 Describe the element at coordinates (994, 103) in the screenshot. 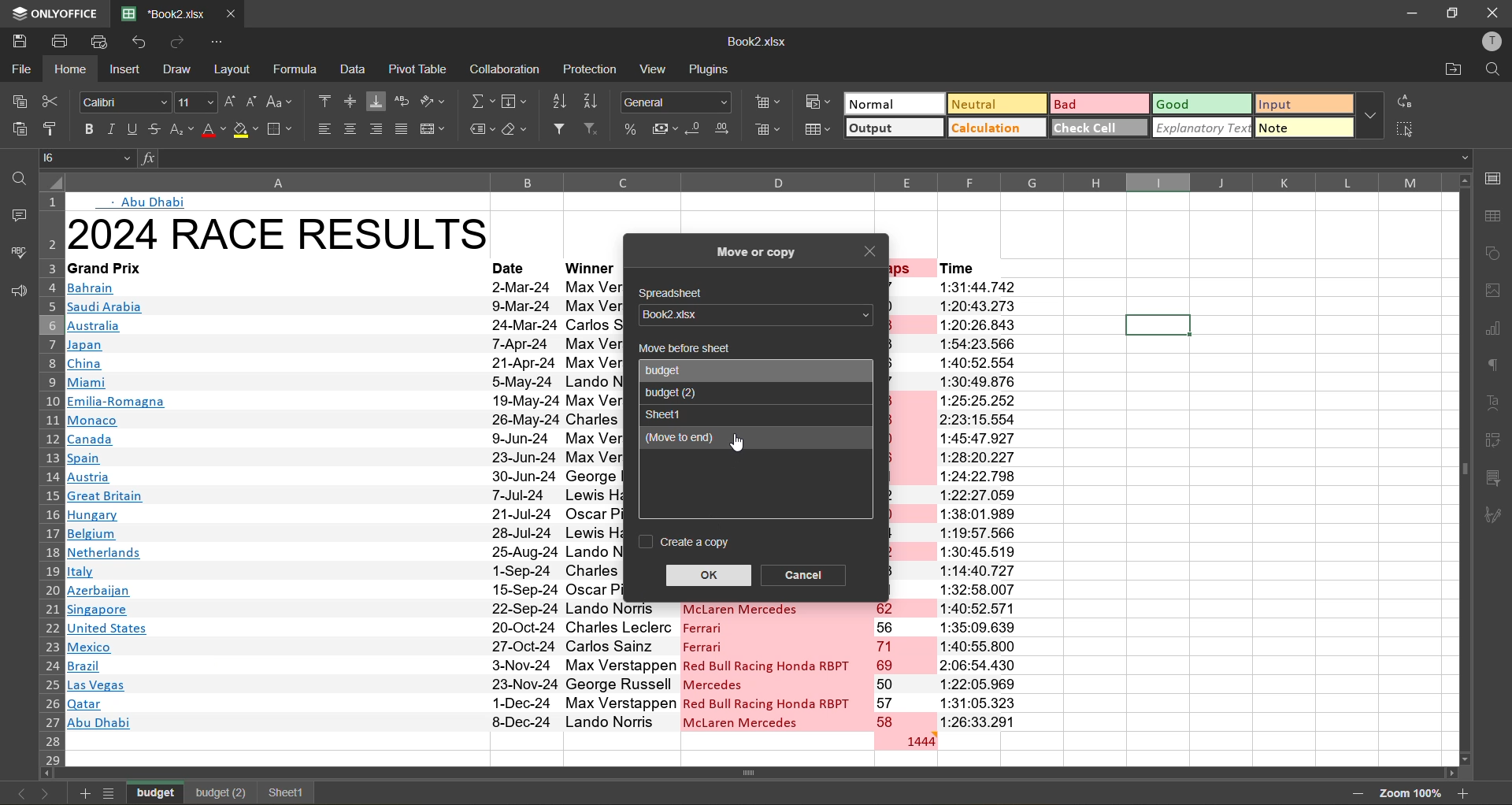

I see `neutral` at that location.